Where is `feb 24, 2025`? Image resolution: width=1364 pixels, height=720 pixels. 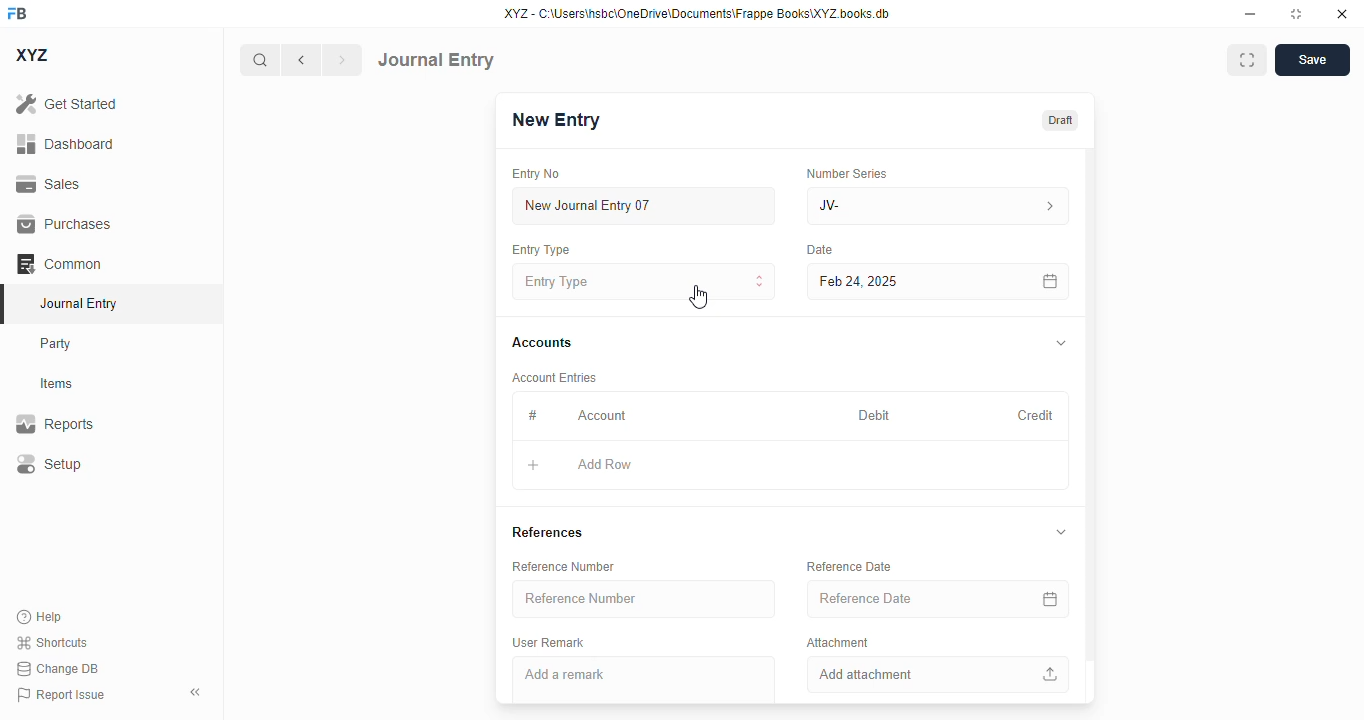 feb 24, 2025 is located at coordinates (895, 282).